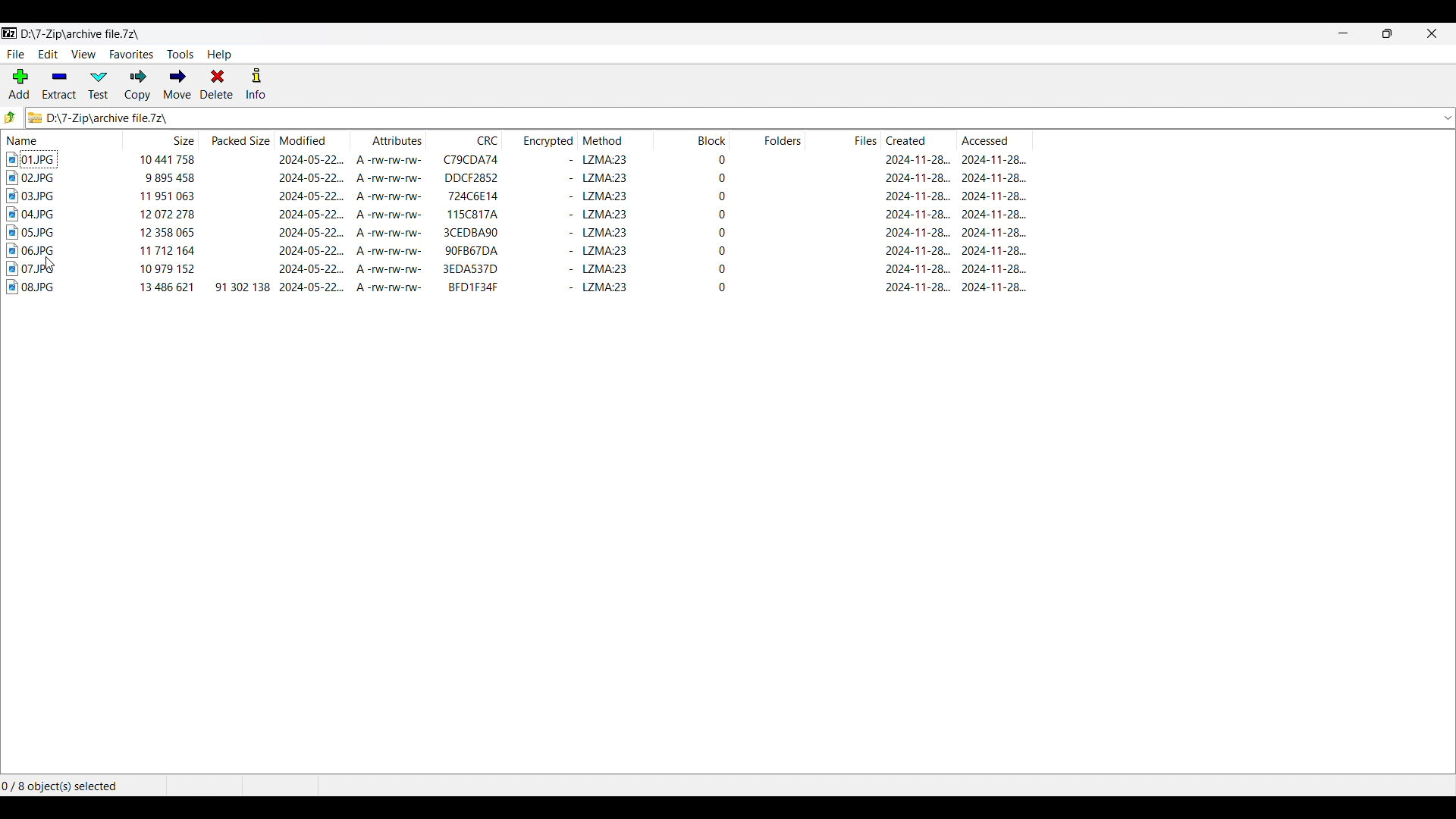 This screenshot has width=1456, height=819. Describe the element at coordinates (166, 250) in the screenshot. I see `size` at that location.